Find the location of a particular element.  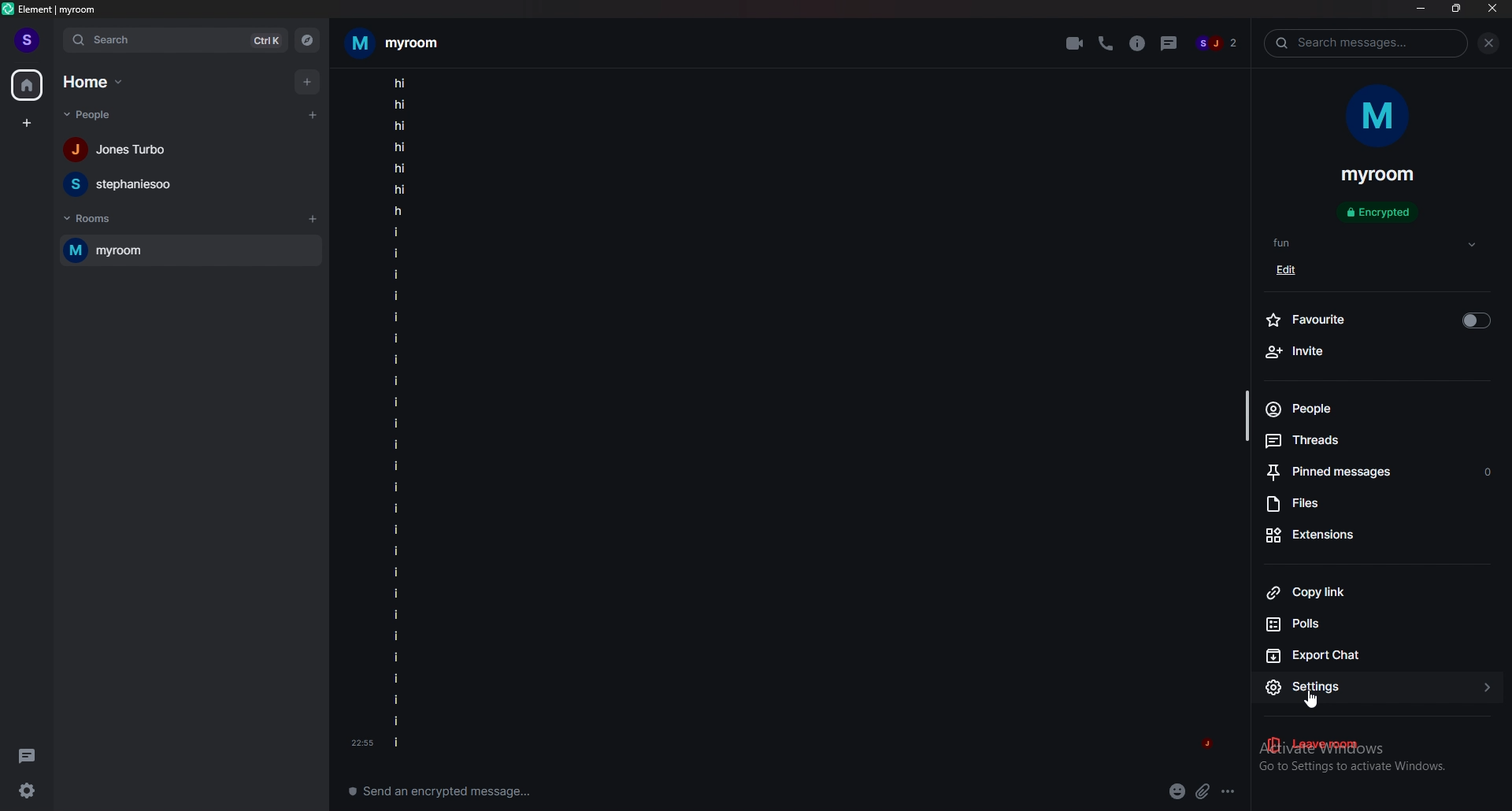

j is located at coordinates (1206, 746).